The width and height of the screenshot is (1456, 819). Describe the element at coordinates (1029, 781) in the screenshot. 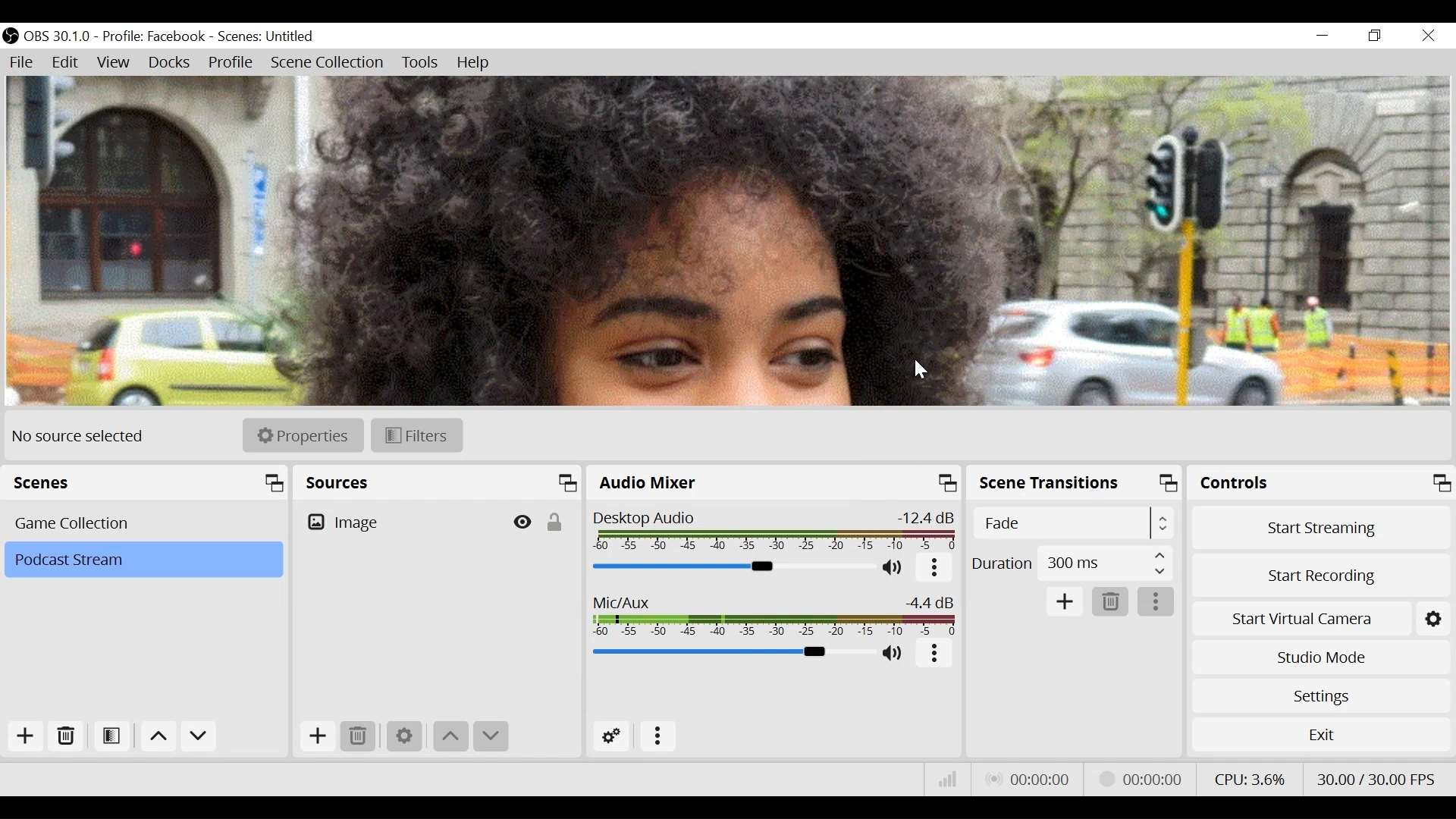

I see `Live Status` at that location.